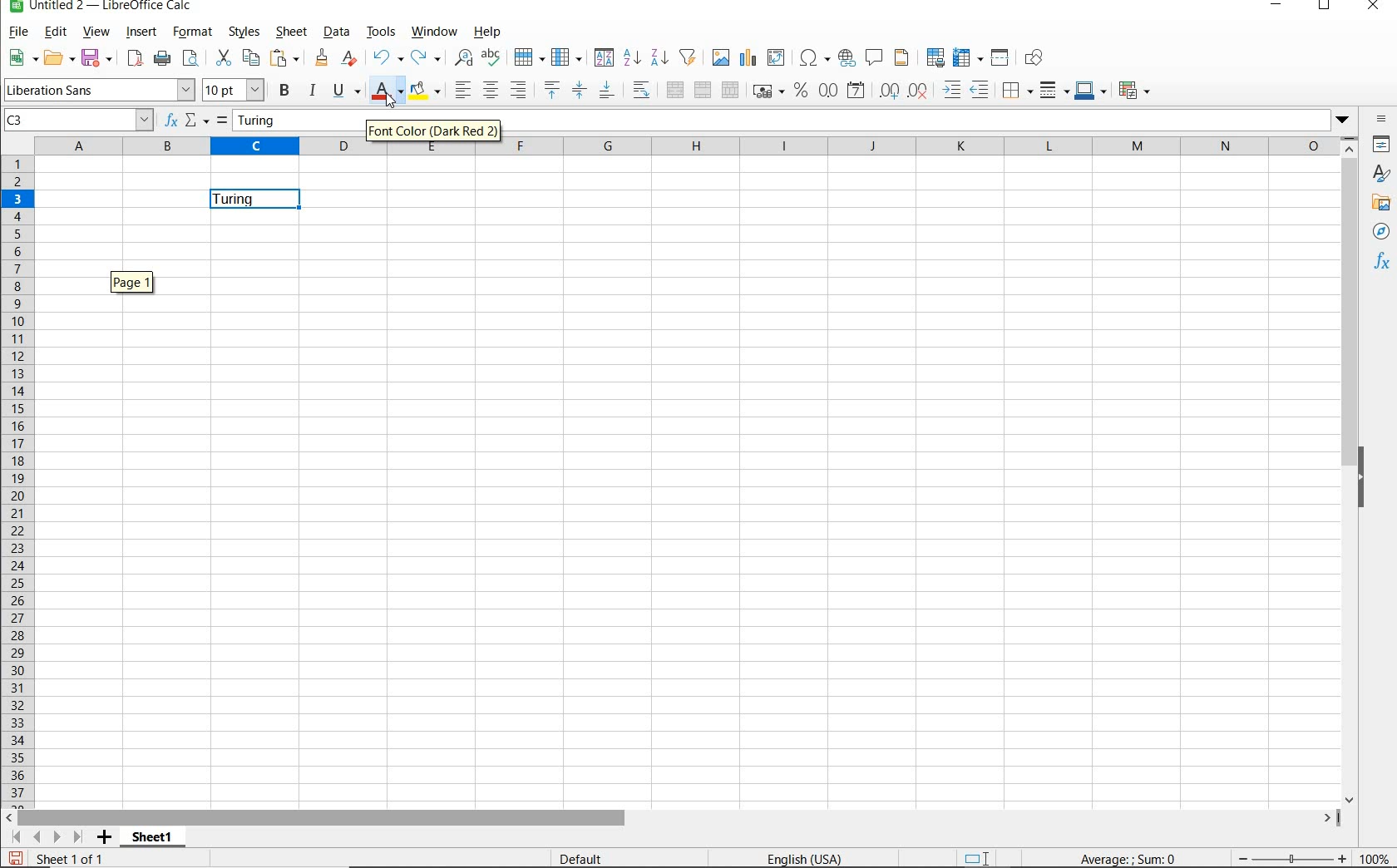 The width and height of the screenshot is (1397, 868). I want to click on Sheet 1 of 1, so click(77, 858).